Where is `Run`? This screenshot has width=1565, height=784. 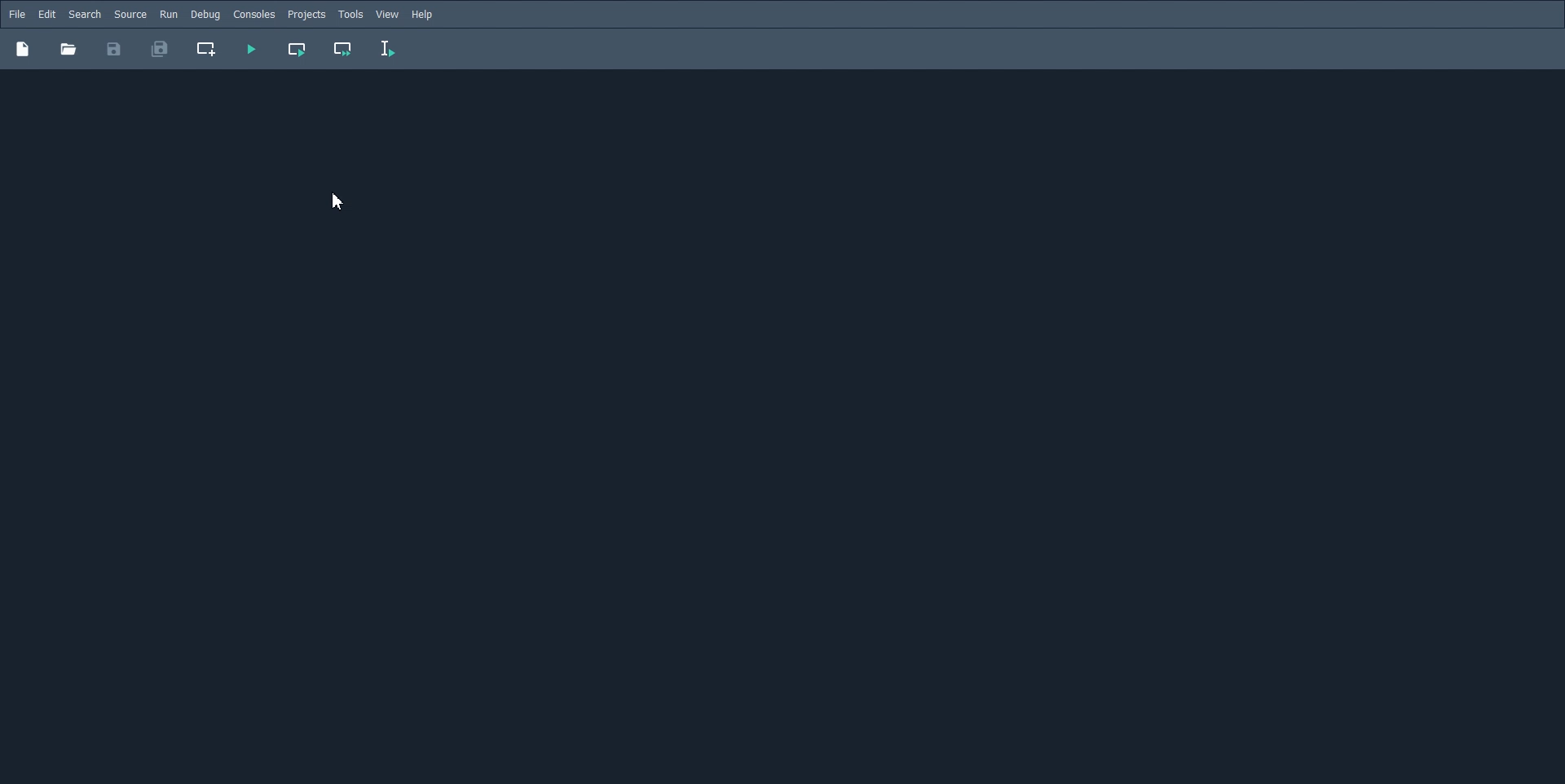
Run is located at coordinates (169, 14).